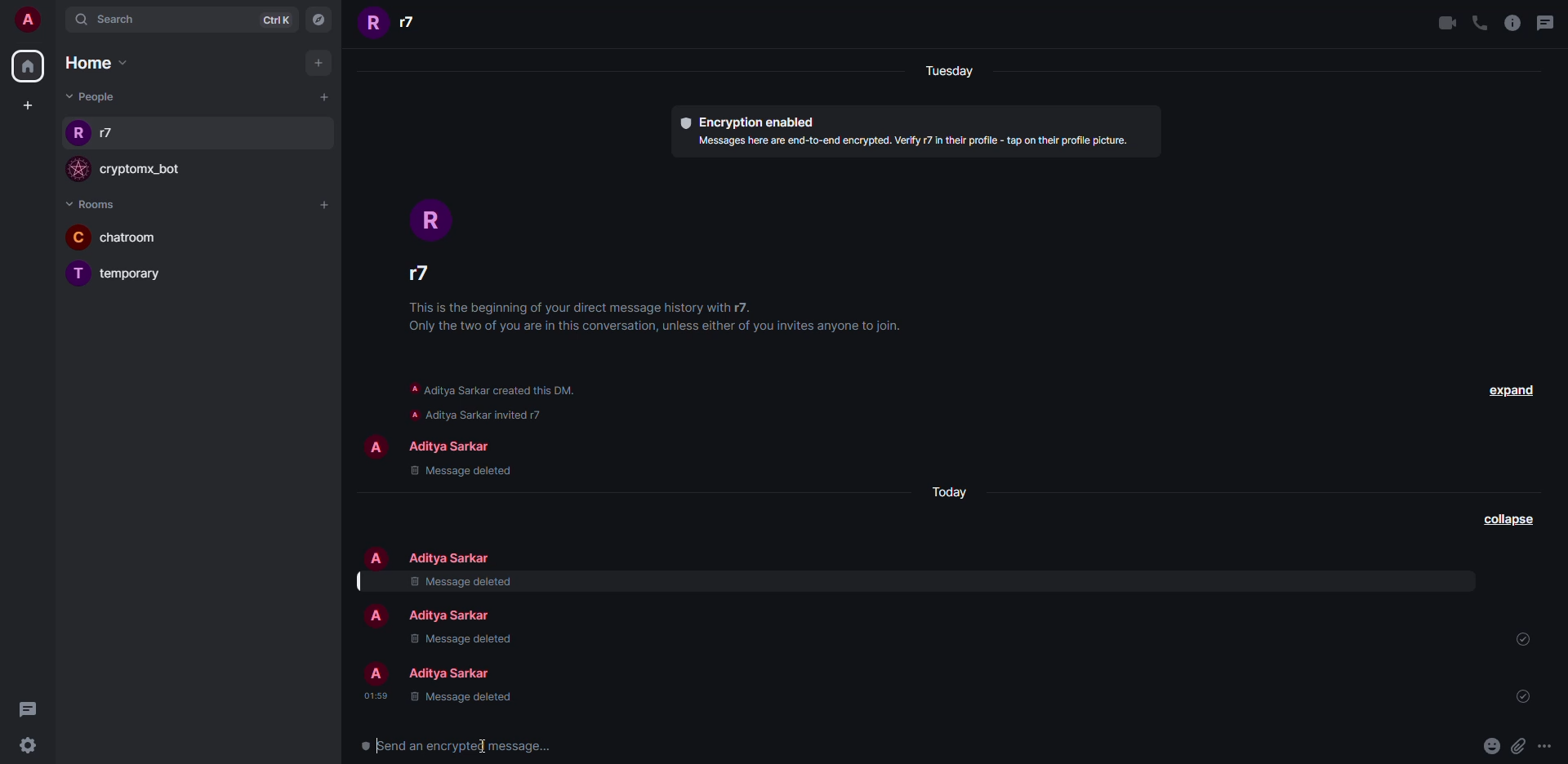 This screenshot has width=1568, height=764. What do you see at coordinates (1445, 23) in the screenshot?
I see `video call` at bounding box center [1445, 23].